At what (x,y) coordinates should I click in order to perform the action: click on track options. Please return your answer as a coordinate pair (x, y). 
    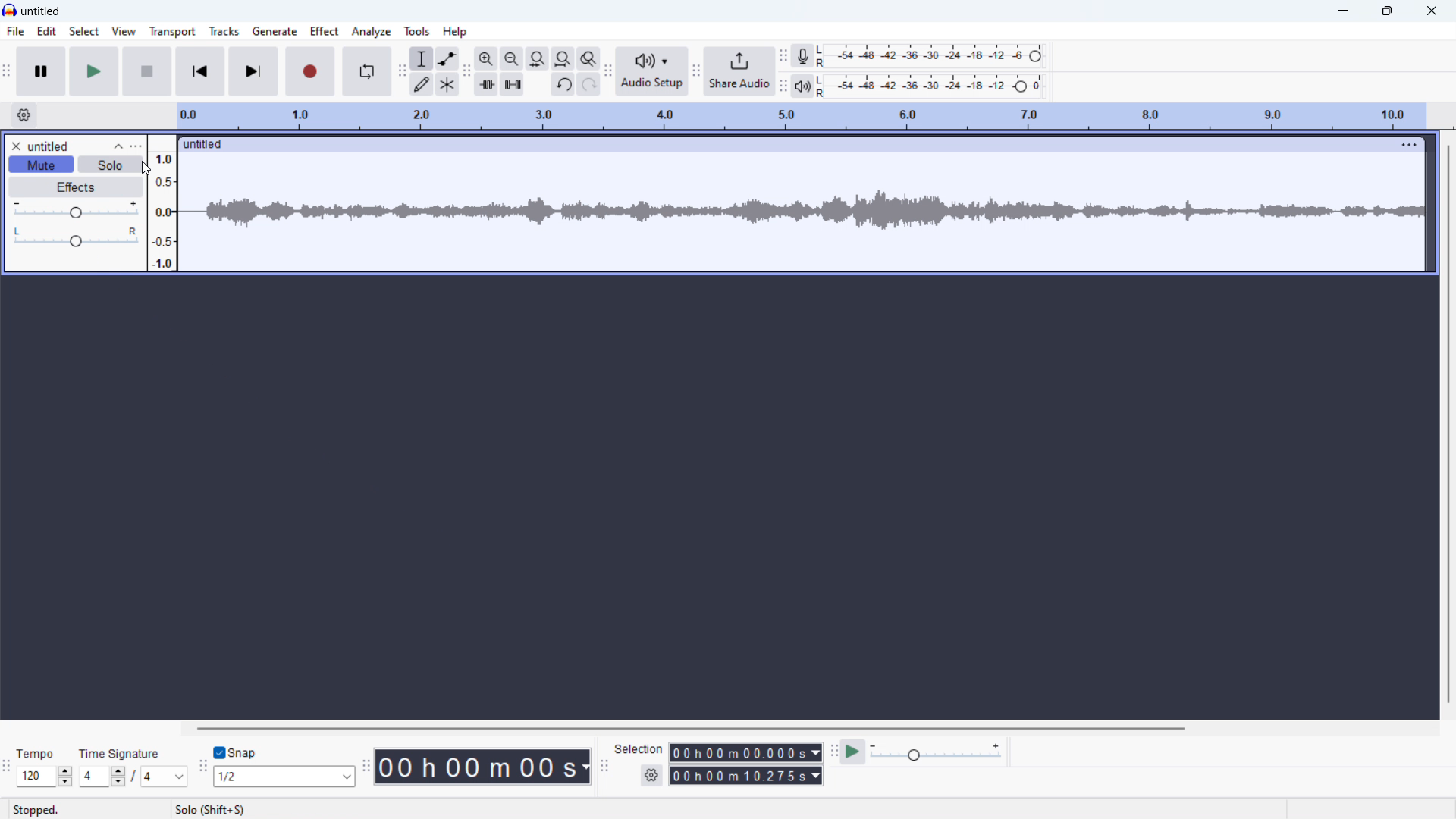
    Looking at the image, I should click on (1401, 145).